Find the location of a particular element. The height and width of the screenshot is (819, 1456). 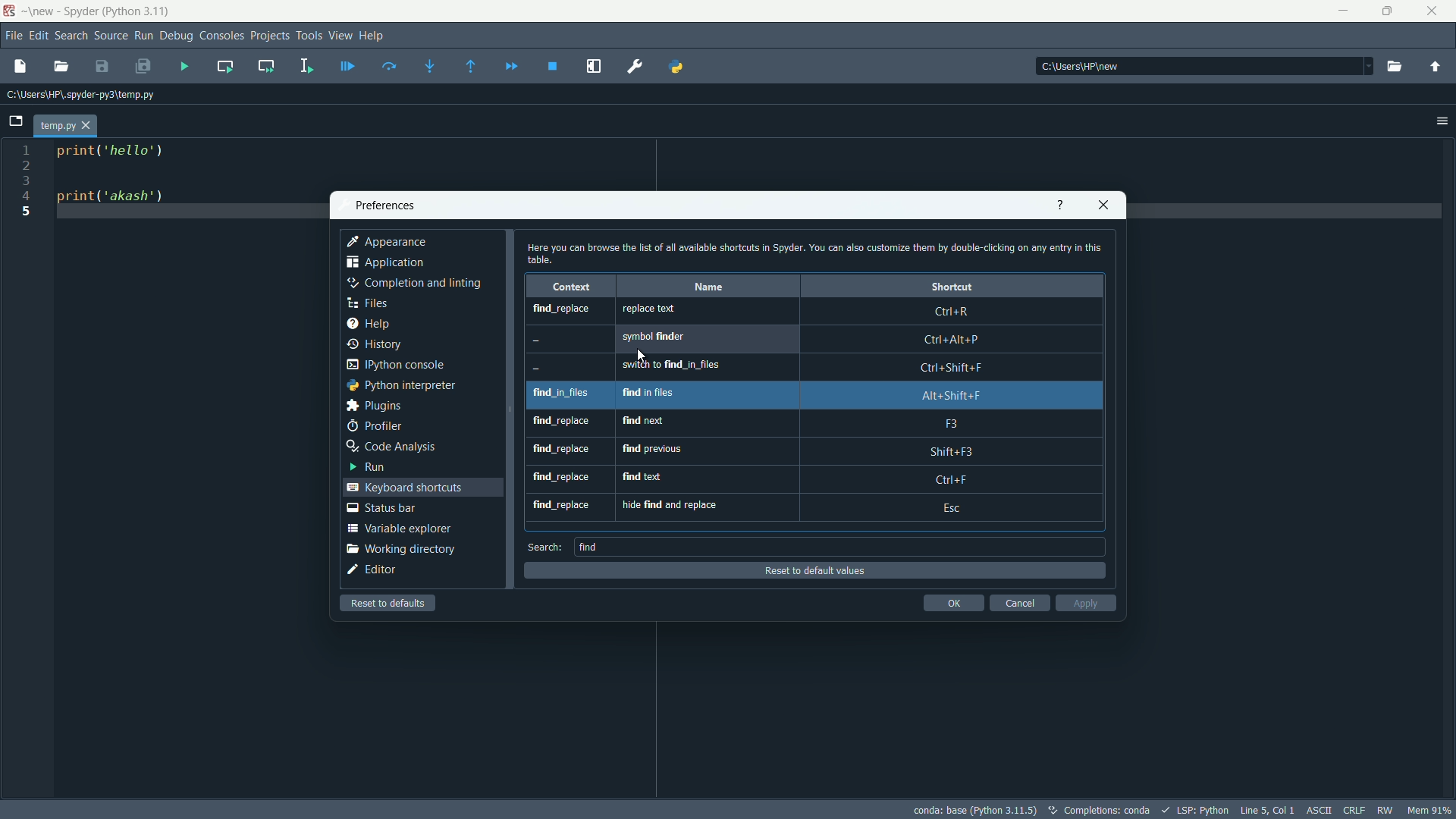

temp.py tab is located at coordinates (64, 126).